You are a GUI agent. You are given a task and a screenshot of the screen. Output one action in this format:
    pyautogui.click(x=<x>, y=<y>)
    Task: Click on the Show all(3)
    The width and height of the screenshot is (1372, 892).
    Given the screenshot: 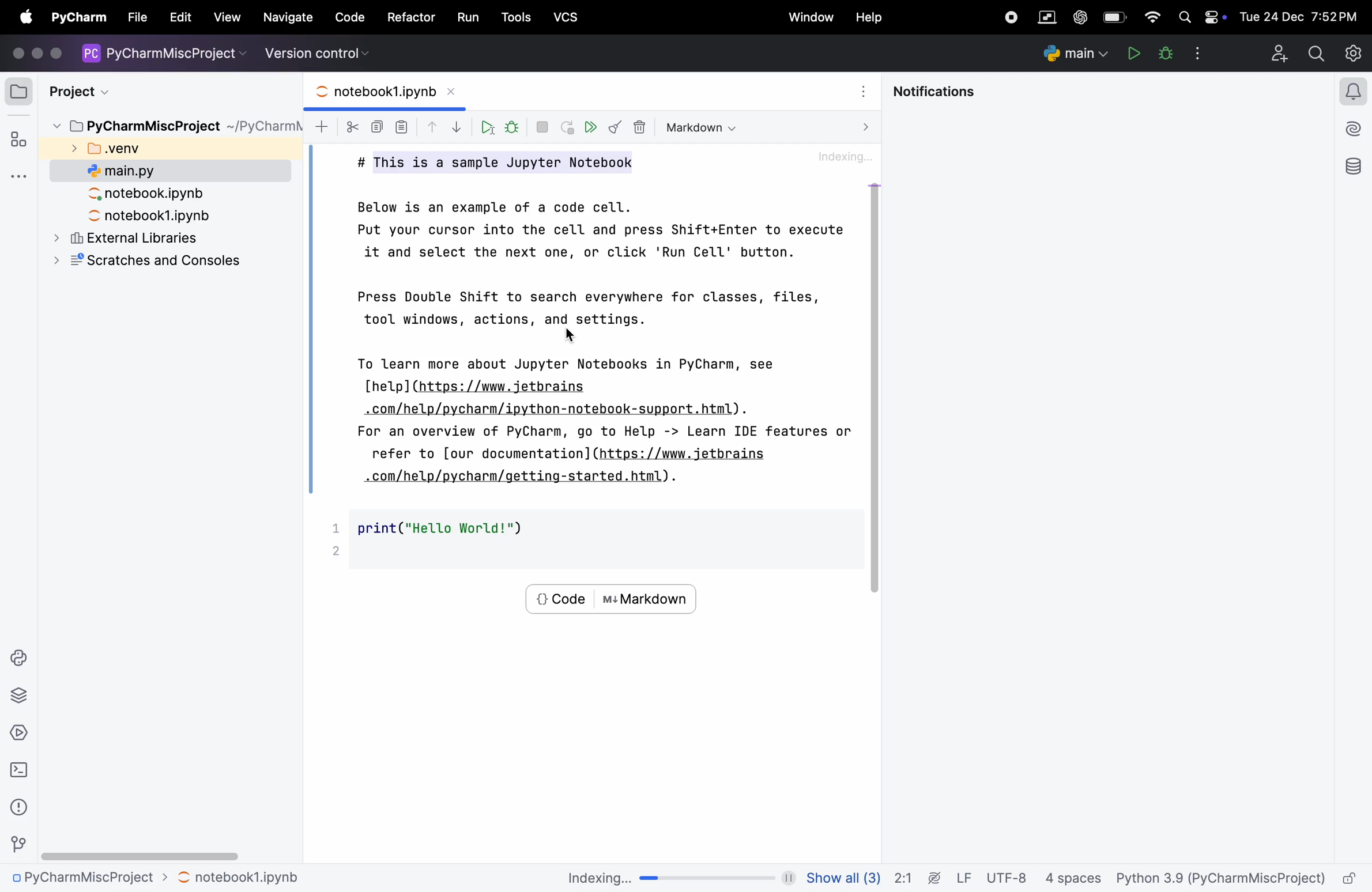 What is the action you would take?
    pyautogui.click(x=846, y=878)
    